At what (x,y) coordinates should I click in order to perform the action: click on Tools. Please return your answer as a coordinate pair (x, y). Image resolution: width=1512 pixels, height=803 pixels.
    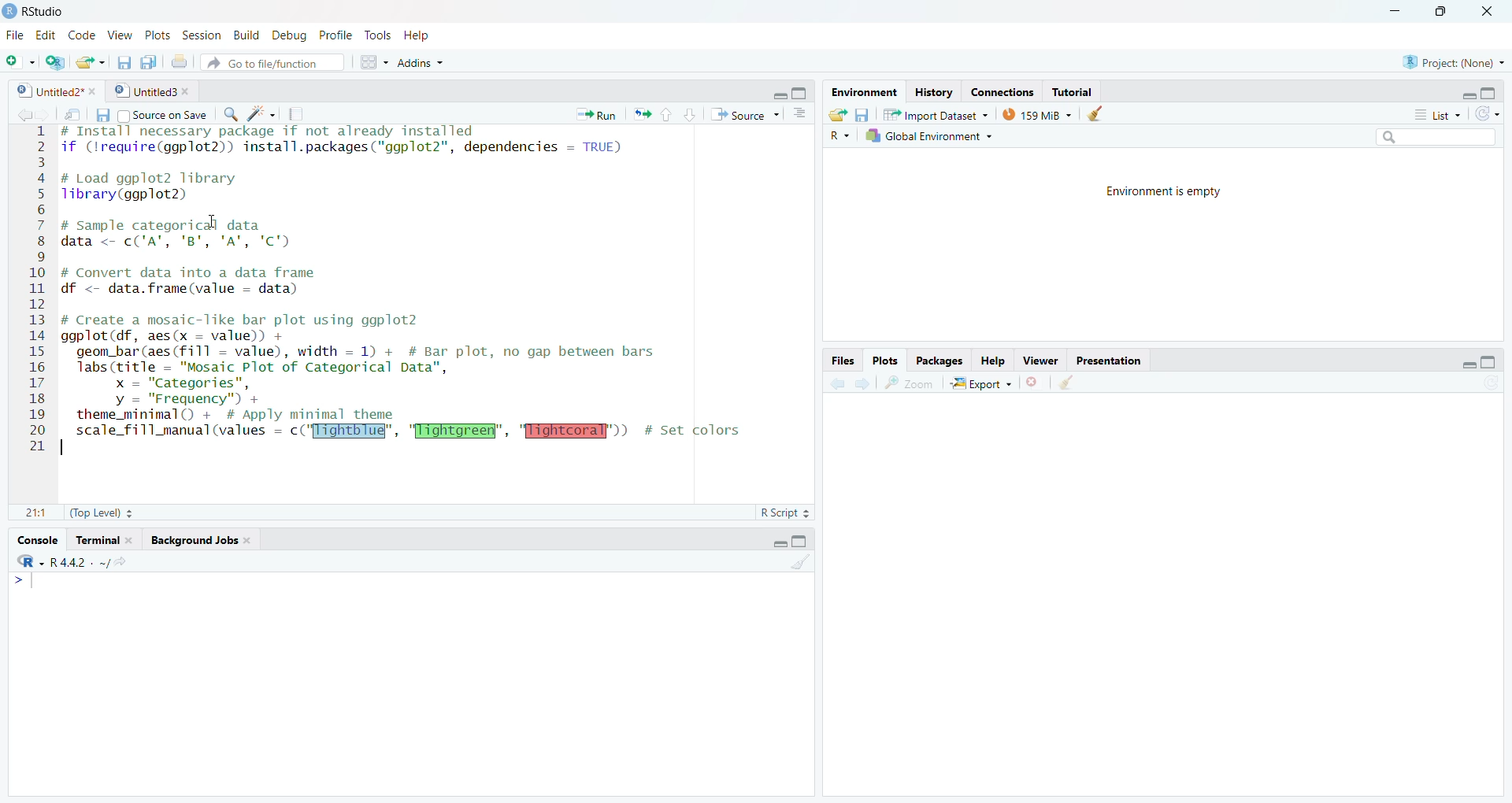
    Looking at the image, I should click on (376, 33).